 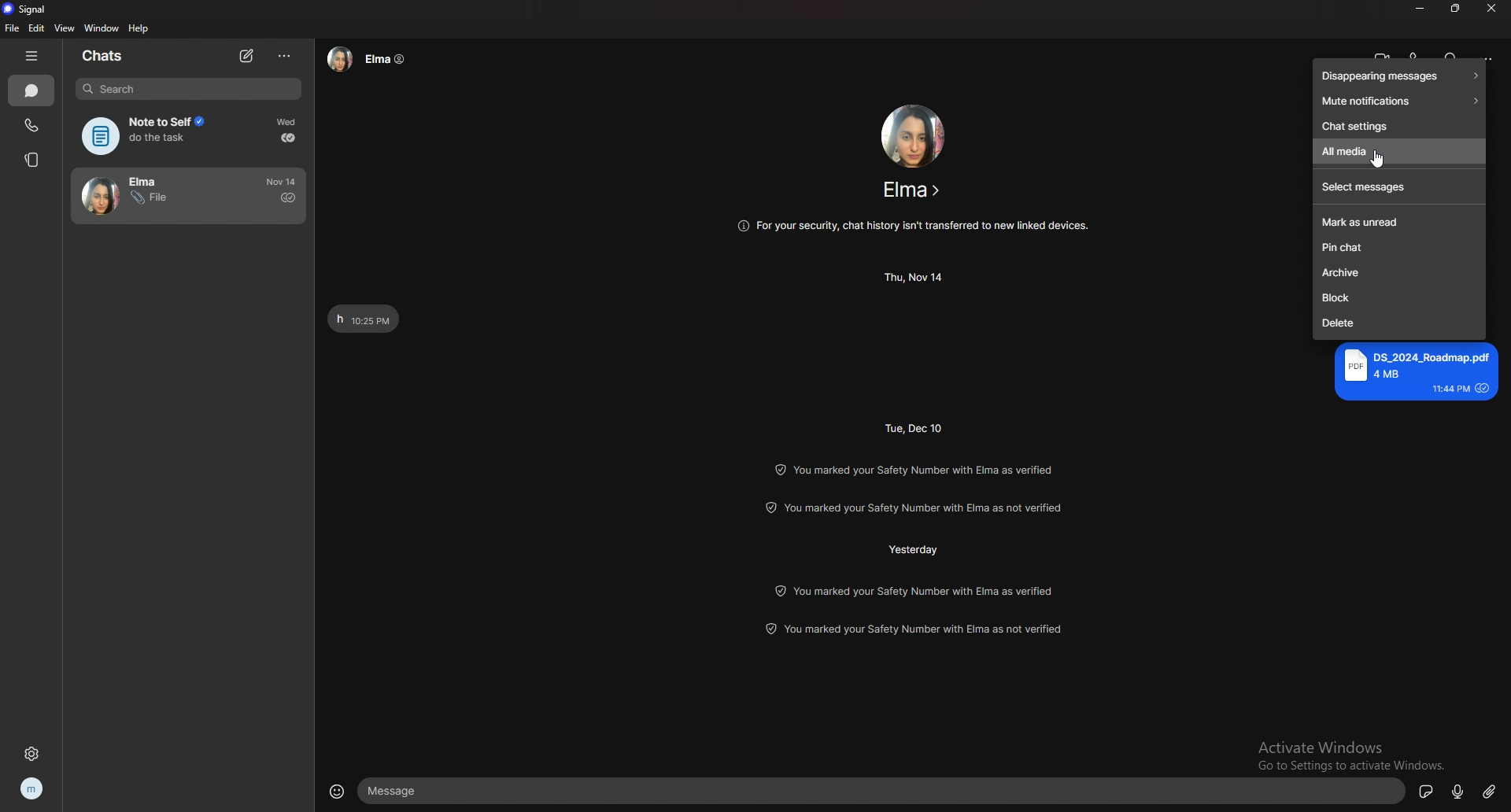 I want to click on text, so click(x=364, y=319).